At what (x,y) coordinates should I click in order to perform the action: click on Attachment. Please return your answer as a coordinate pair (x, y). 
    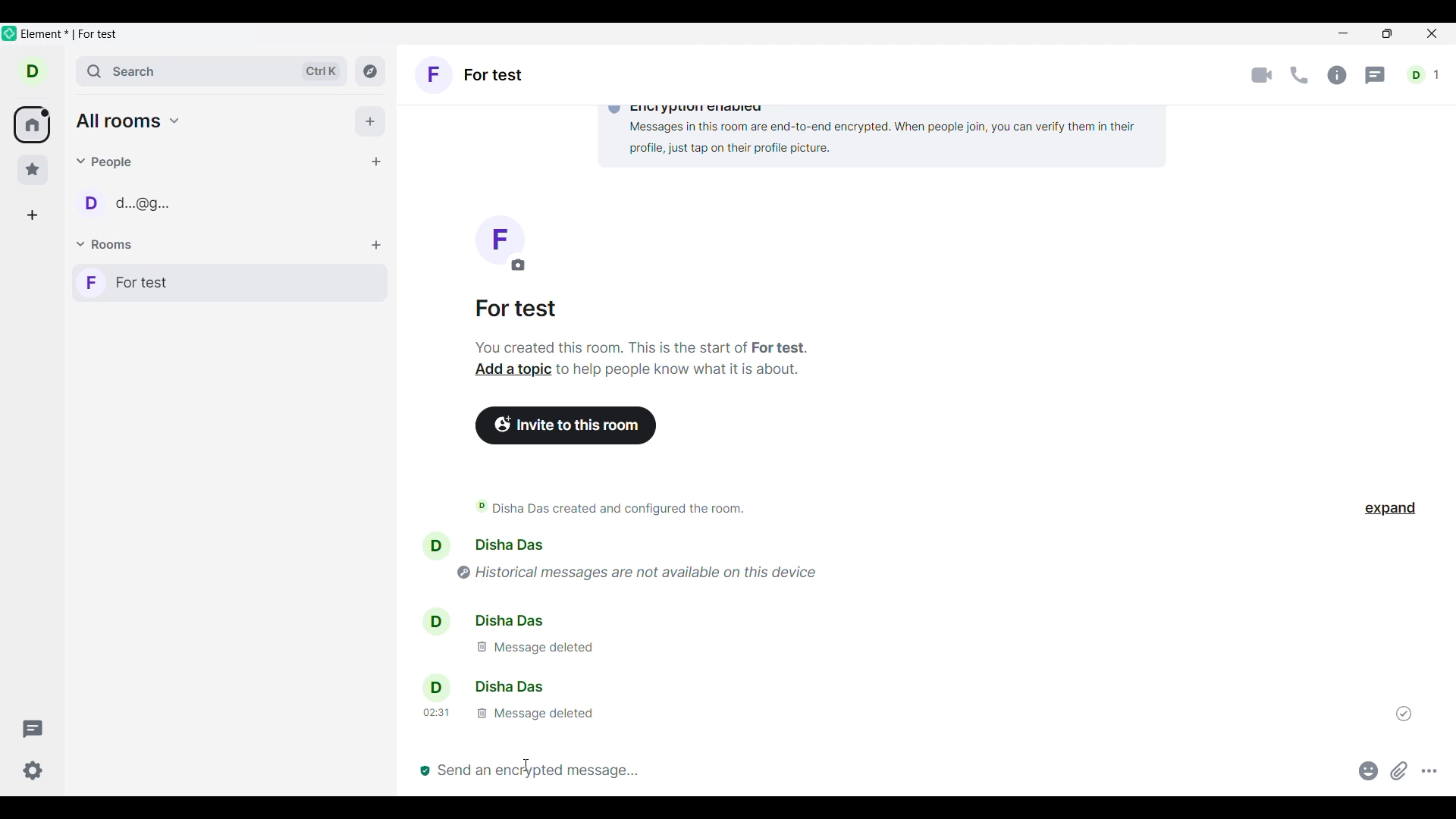
    Looking at the image, I should click on (1399, 770).